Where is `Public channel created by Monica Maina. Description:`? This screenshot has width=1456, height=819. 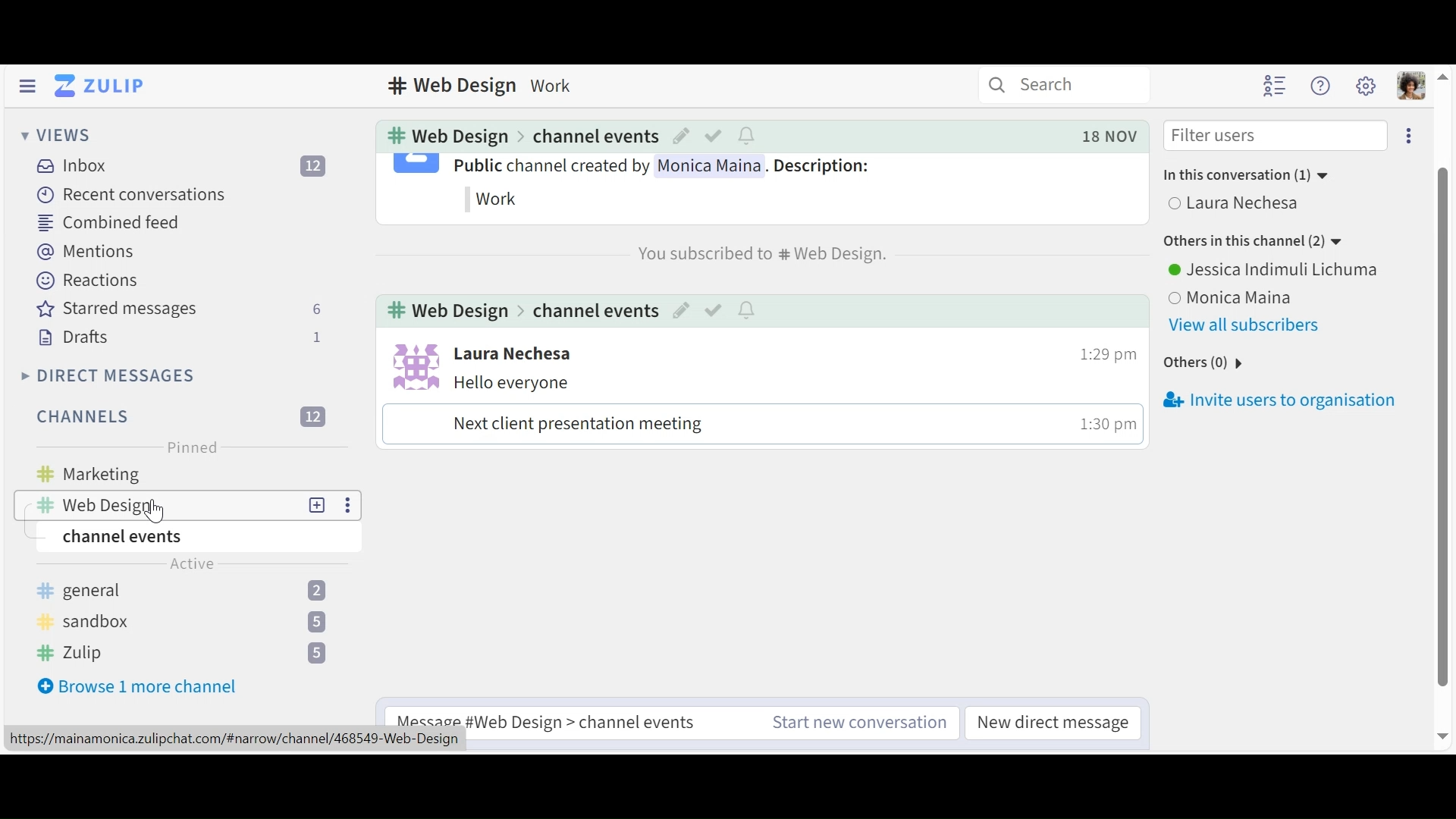
Public channel created by Monica Maina. Description: is located at coordinates (664, 168).